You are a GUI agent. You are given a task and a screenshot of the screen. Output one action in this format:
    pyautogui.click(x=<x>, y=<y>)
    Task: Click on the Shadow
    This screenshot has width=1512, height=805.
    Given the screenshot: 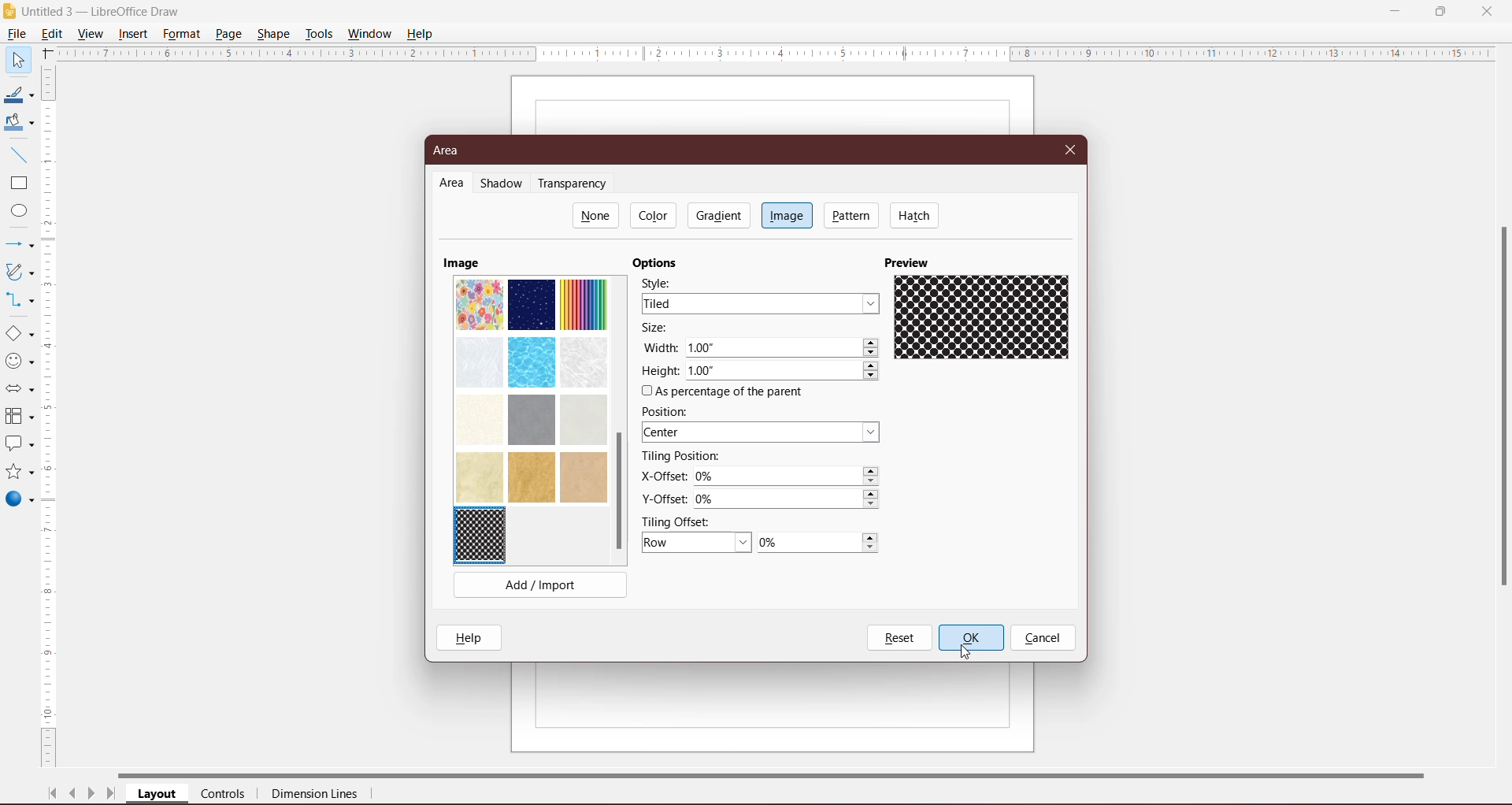 What is the action you would take?
    pyautogui.click(x=504, y=184)
    